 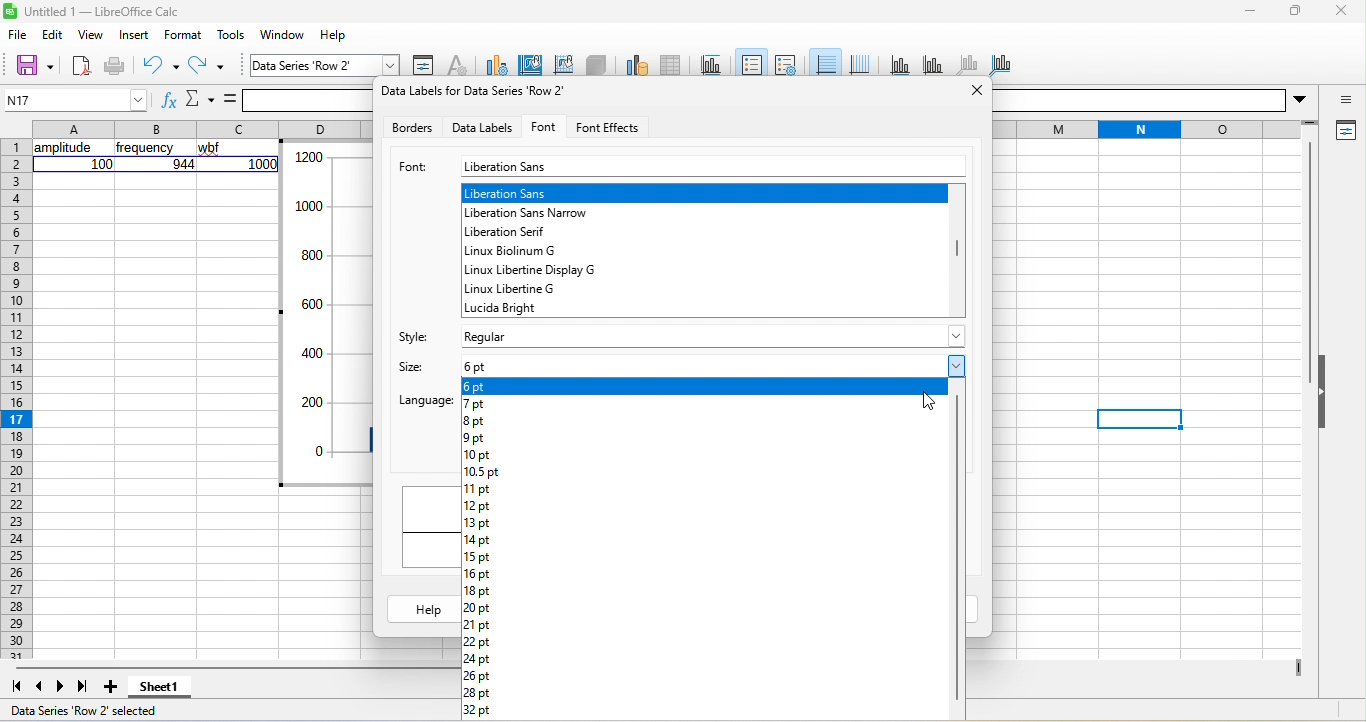 What do you see at coordinates (307, 62) in the screenshot?
I see `data series row 2` at bounding box center [307, 62].